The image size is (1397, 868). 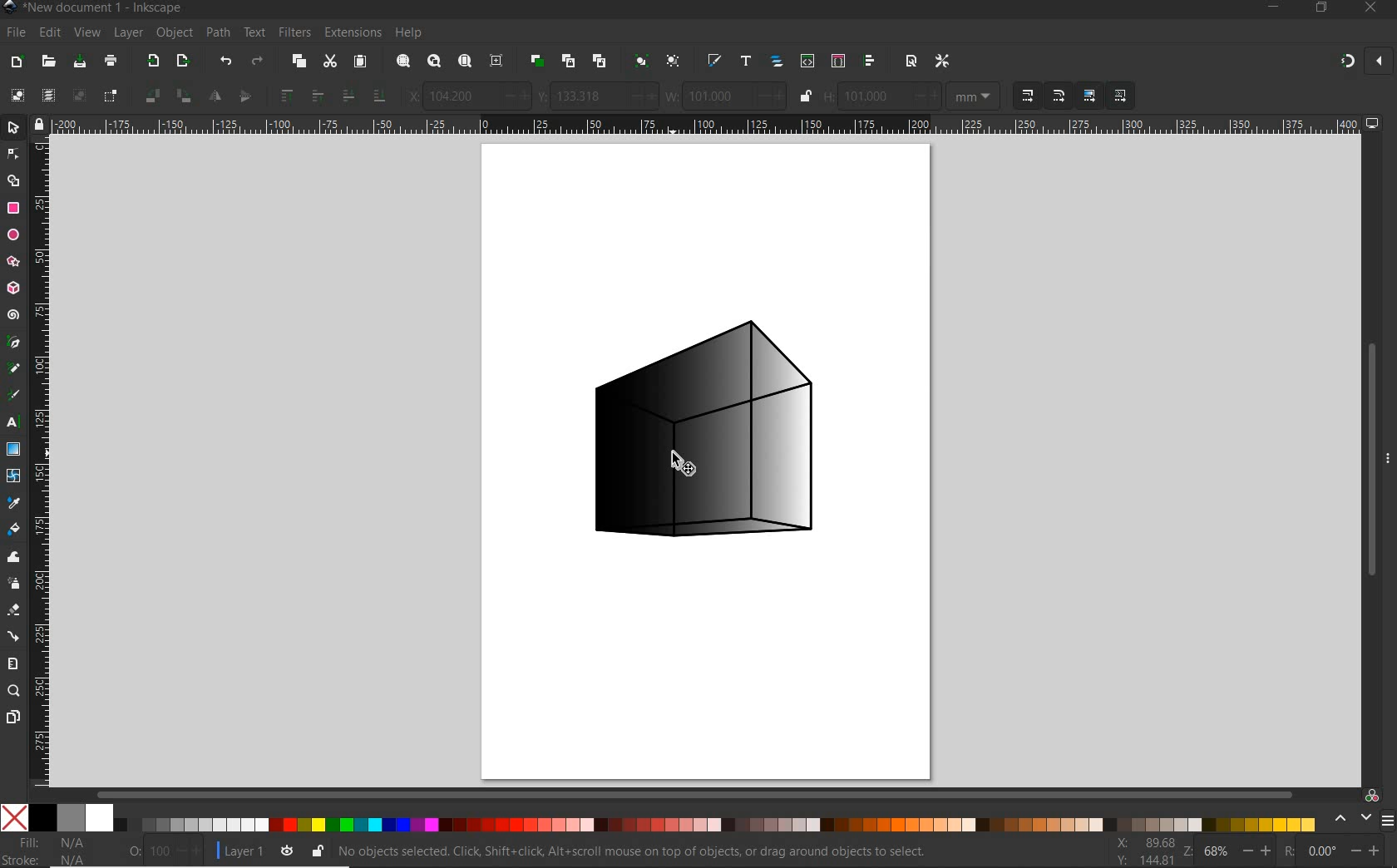 What do you see at coordinates (714, 62) in the screenshot?
I see `OPEN FILL AND STROKE` at bounding box center [714, 62].